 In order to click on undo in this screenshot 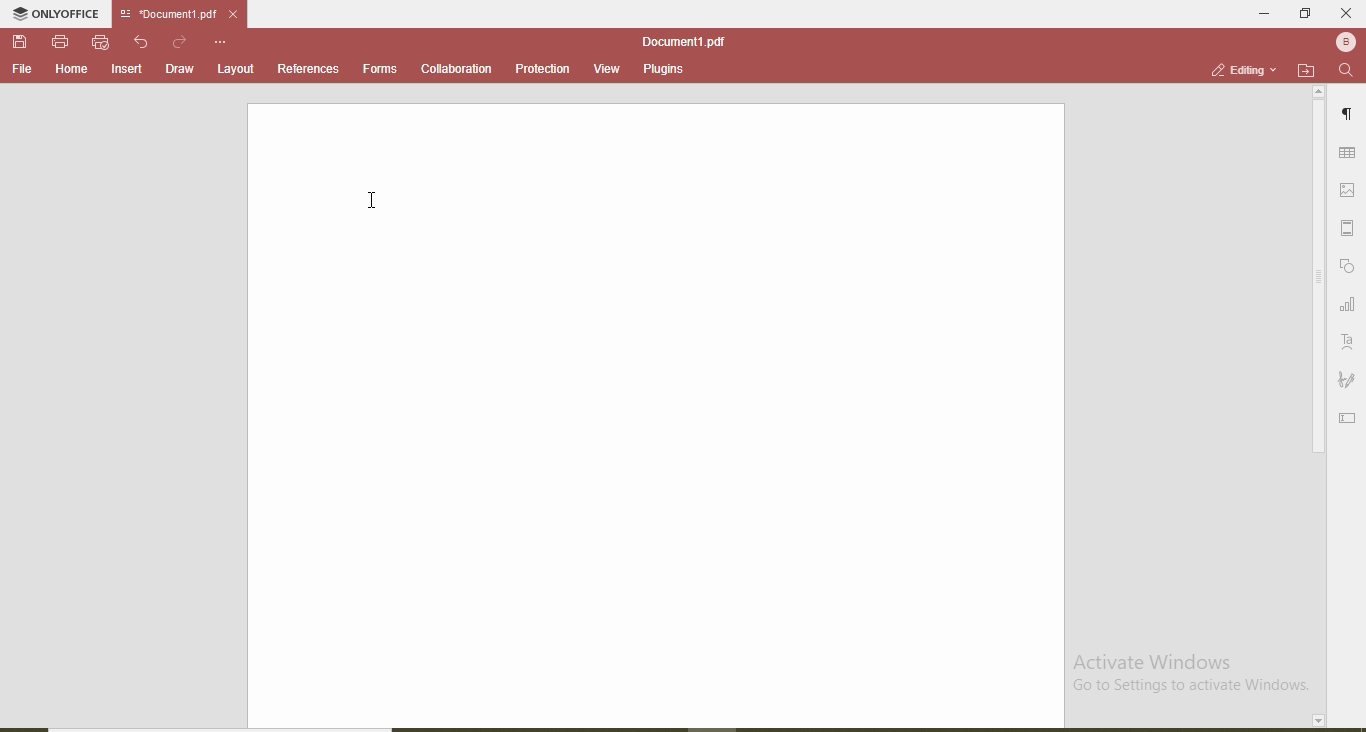, I will do `click(144, 42)`.